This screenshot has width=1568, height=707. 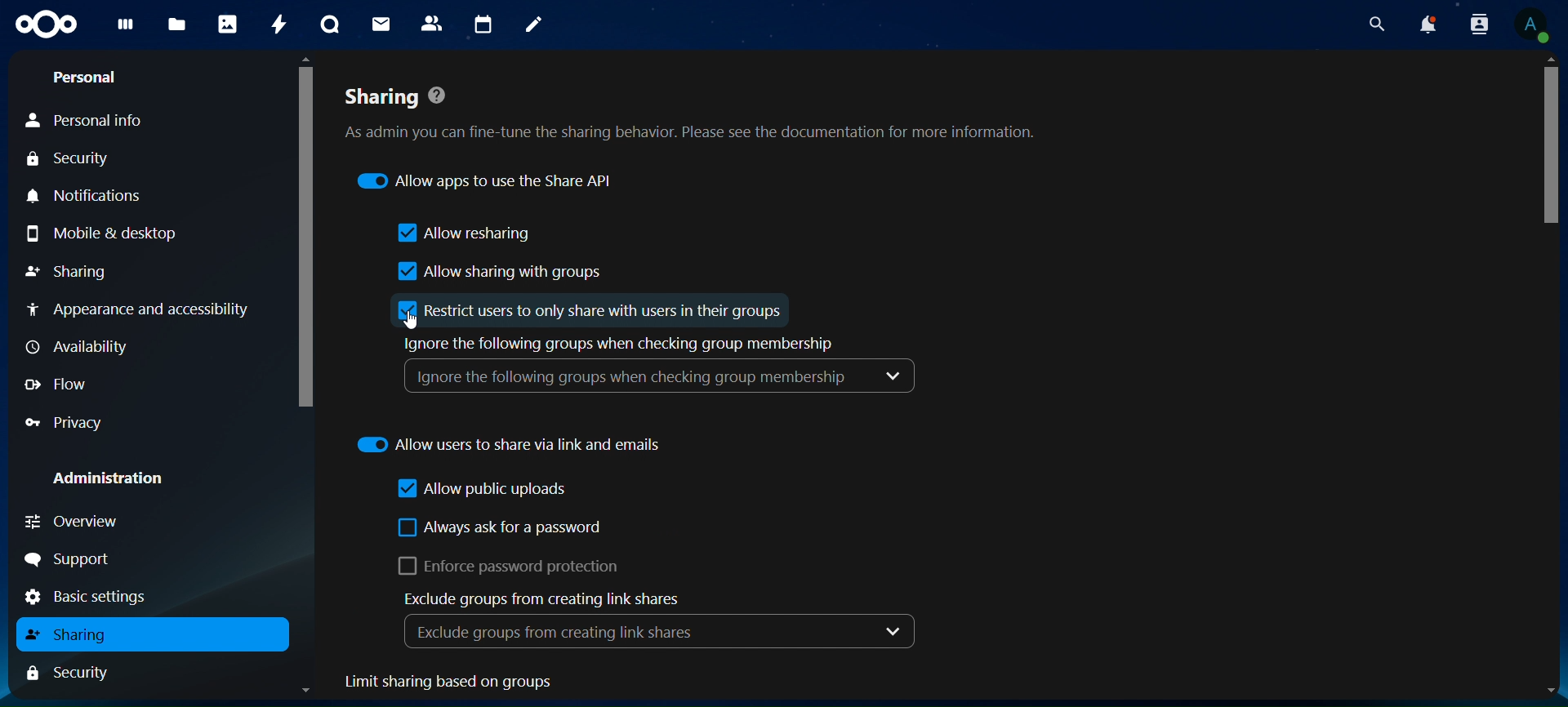 What do you see at coordinates (61, 383) in the screenshot?
I see `flow` at bounding box center [61, 383].